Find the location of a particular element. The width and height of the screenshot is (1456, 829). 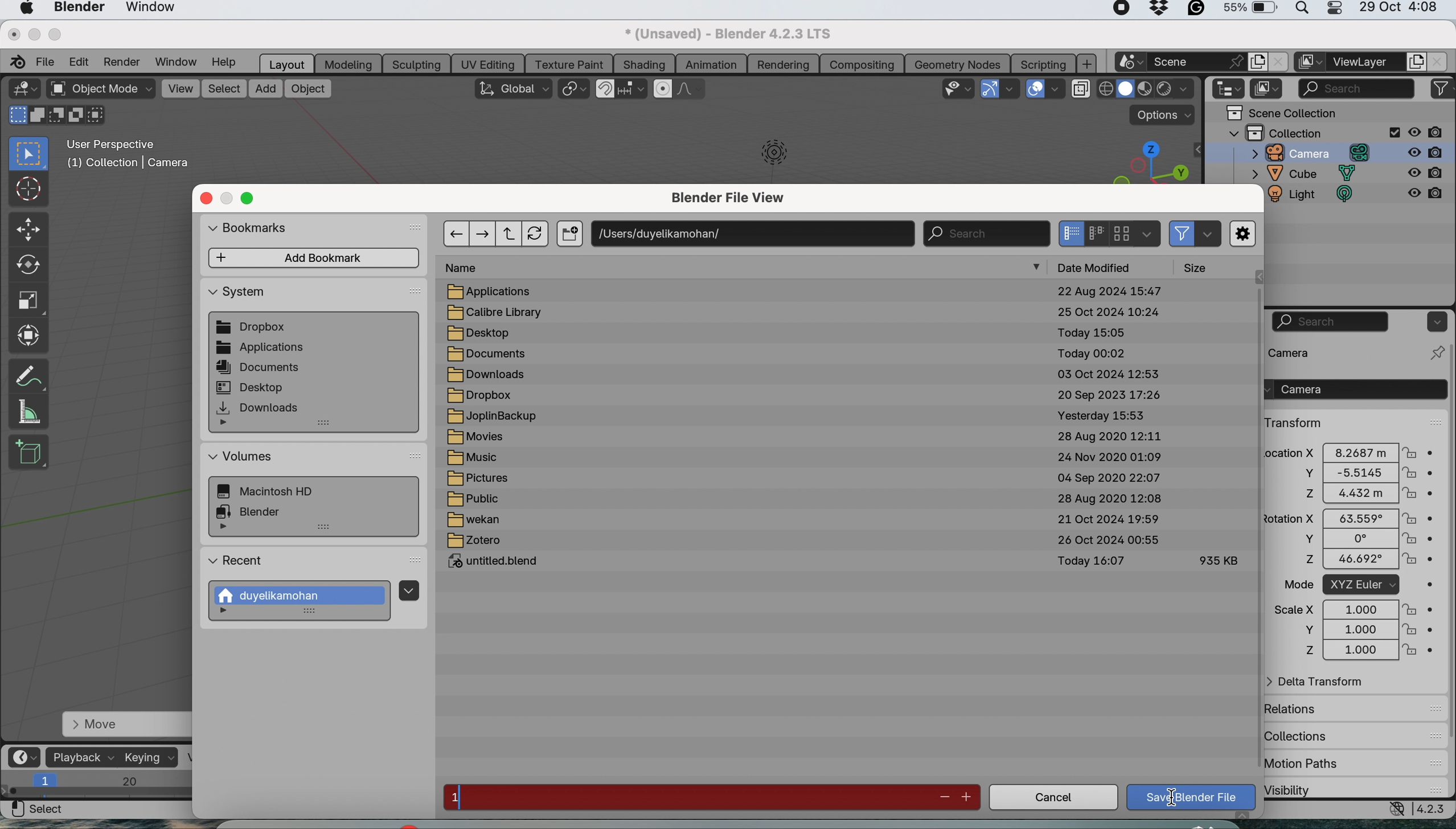

system logo is located at coordinates (26, 9).